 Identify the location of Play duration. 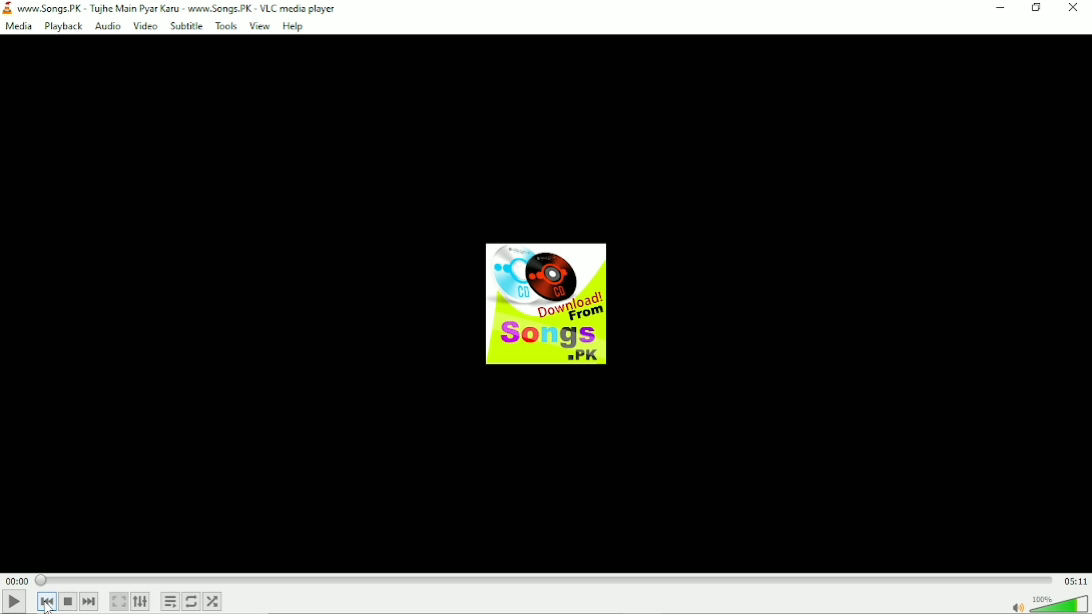
(543, 580).